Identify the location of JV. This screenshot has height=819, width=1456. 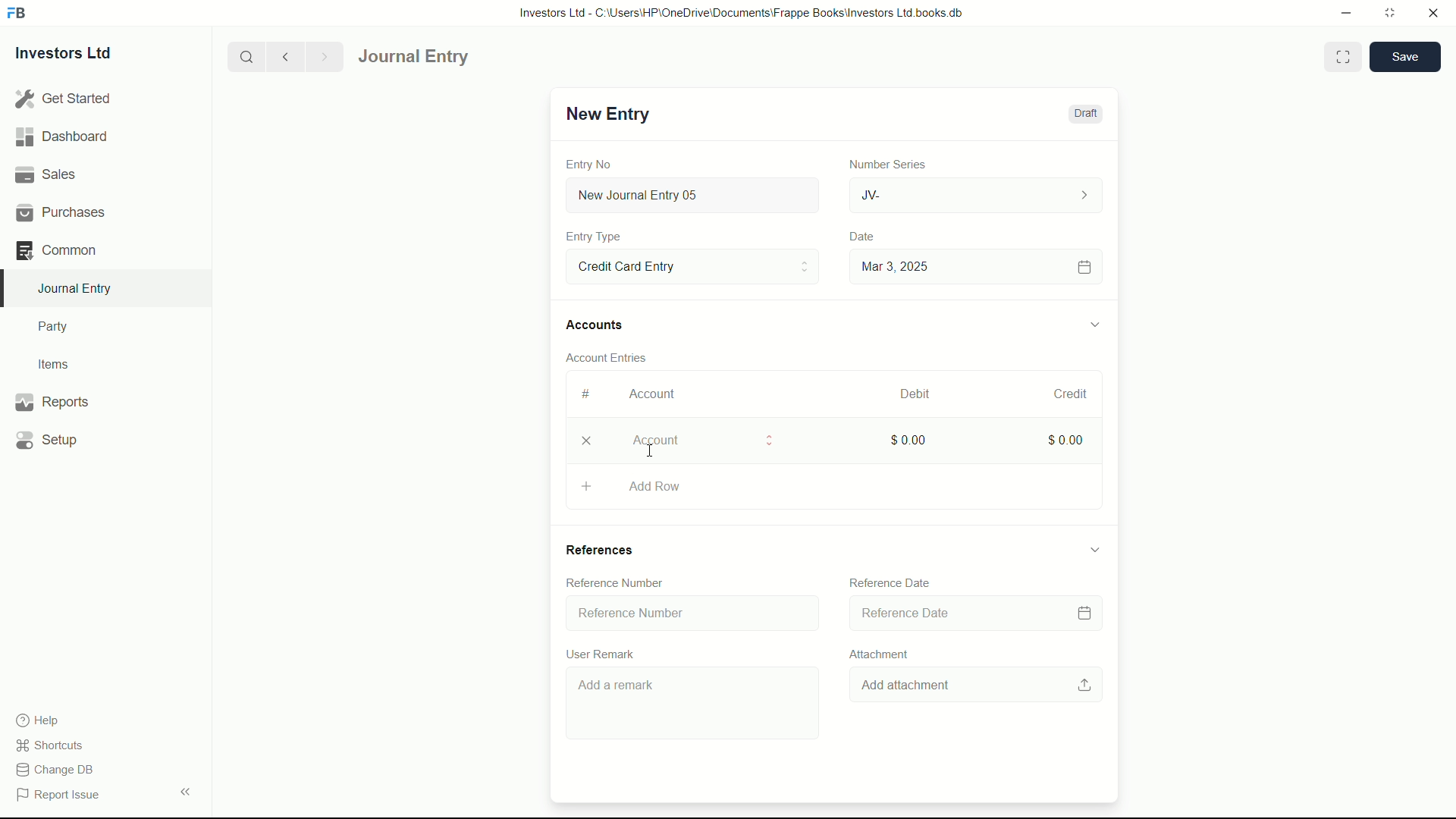
(978, 193).